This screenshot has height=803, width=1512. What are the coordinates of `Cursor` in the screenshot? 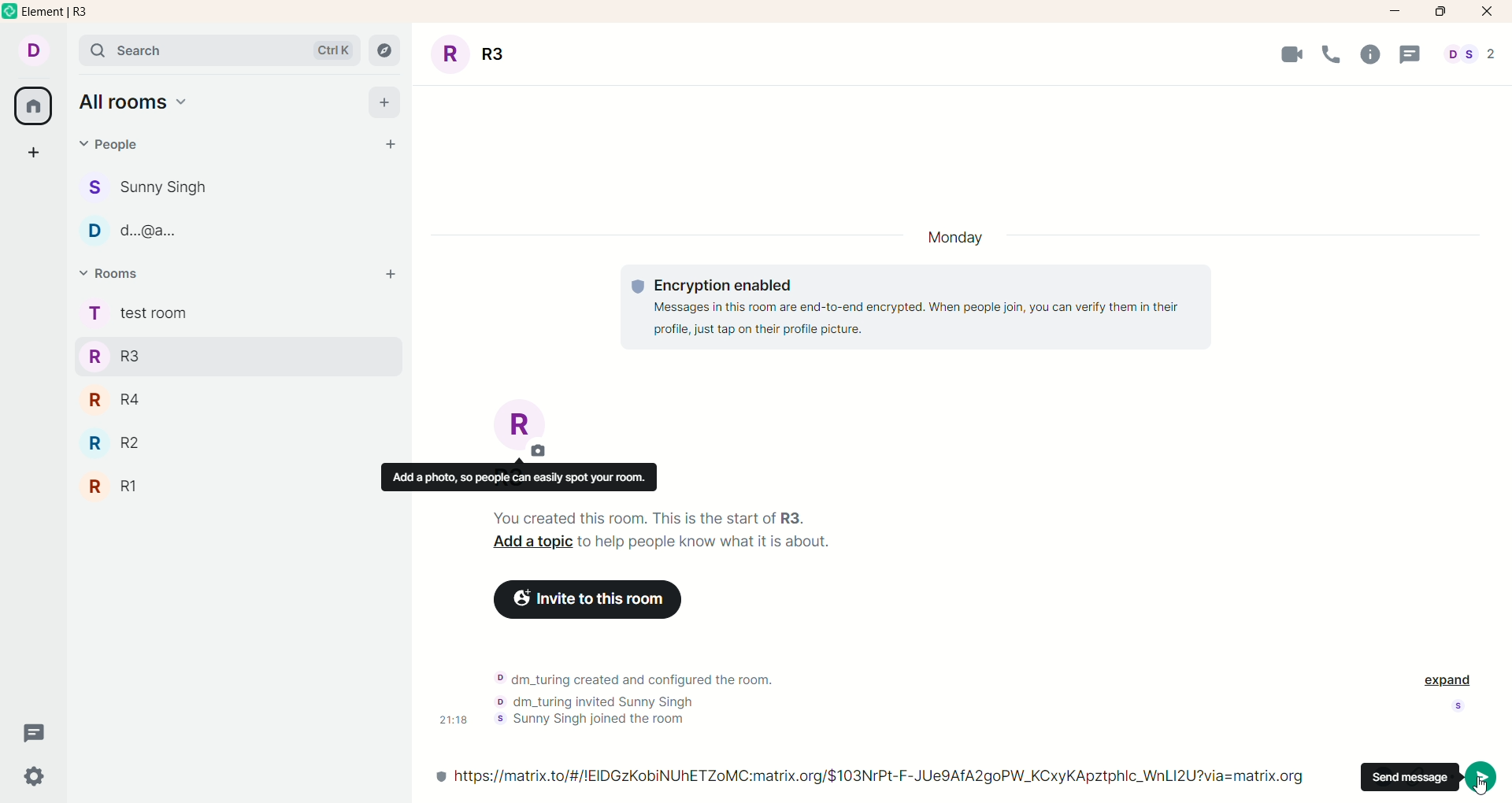 It's located at (1486, 789).